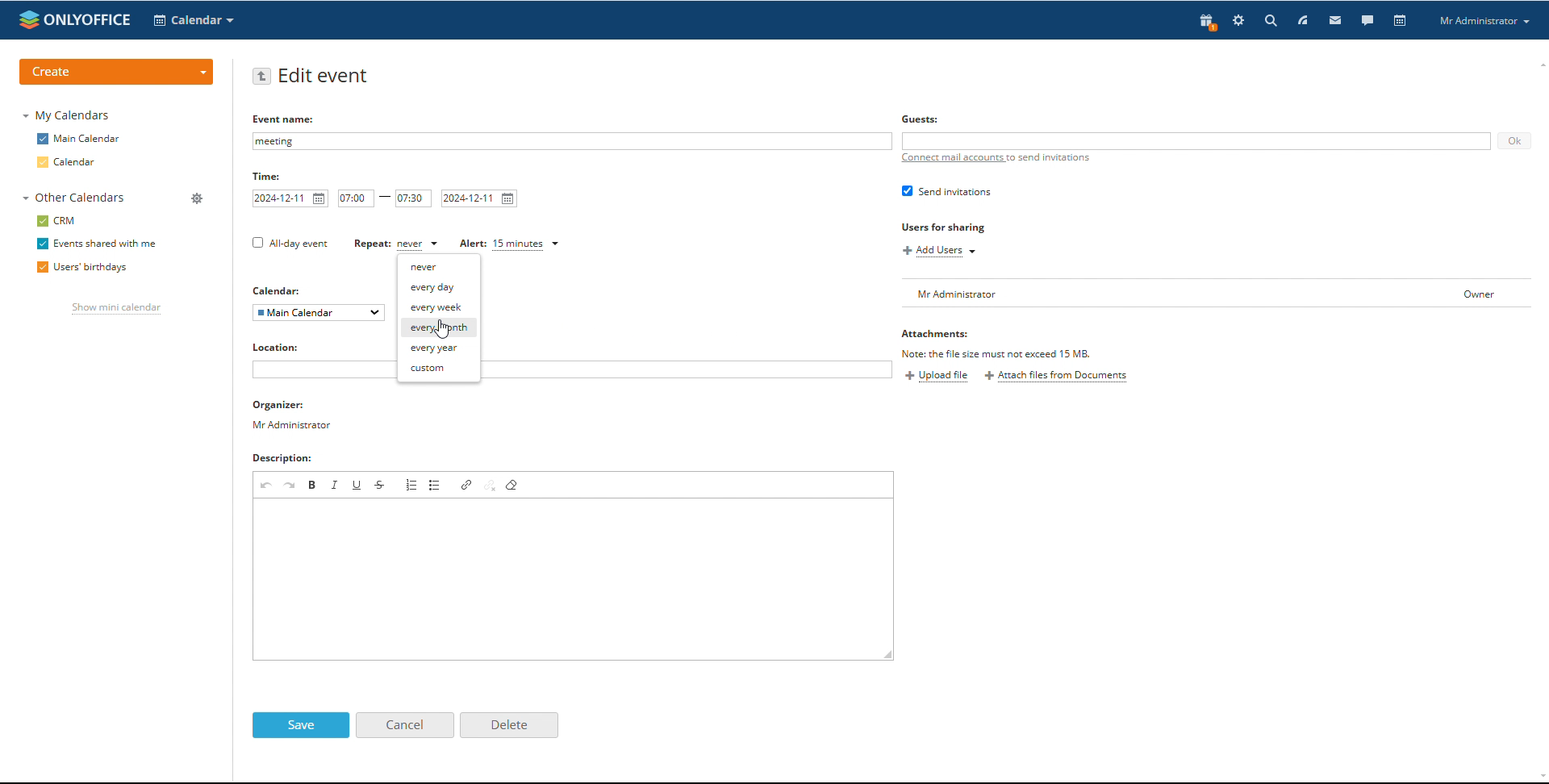  I want to click on every month, so click(440, 328).